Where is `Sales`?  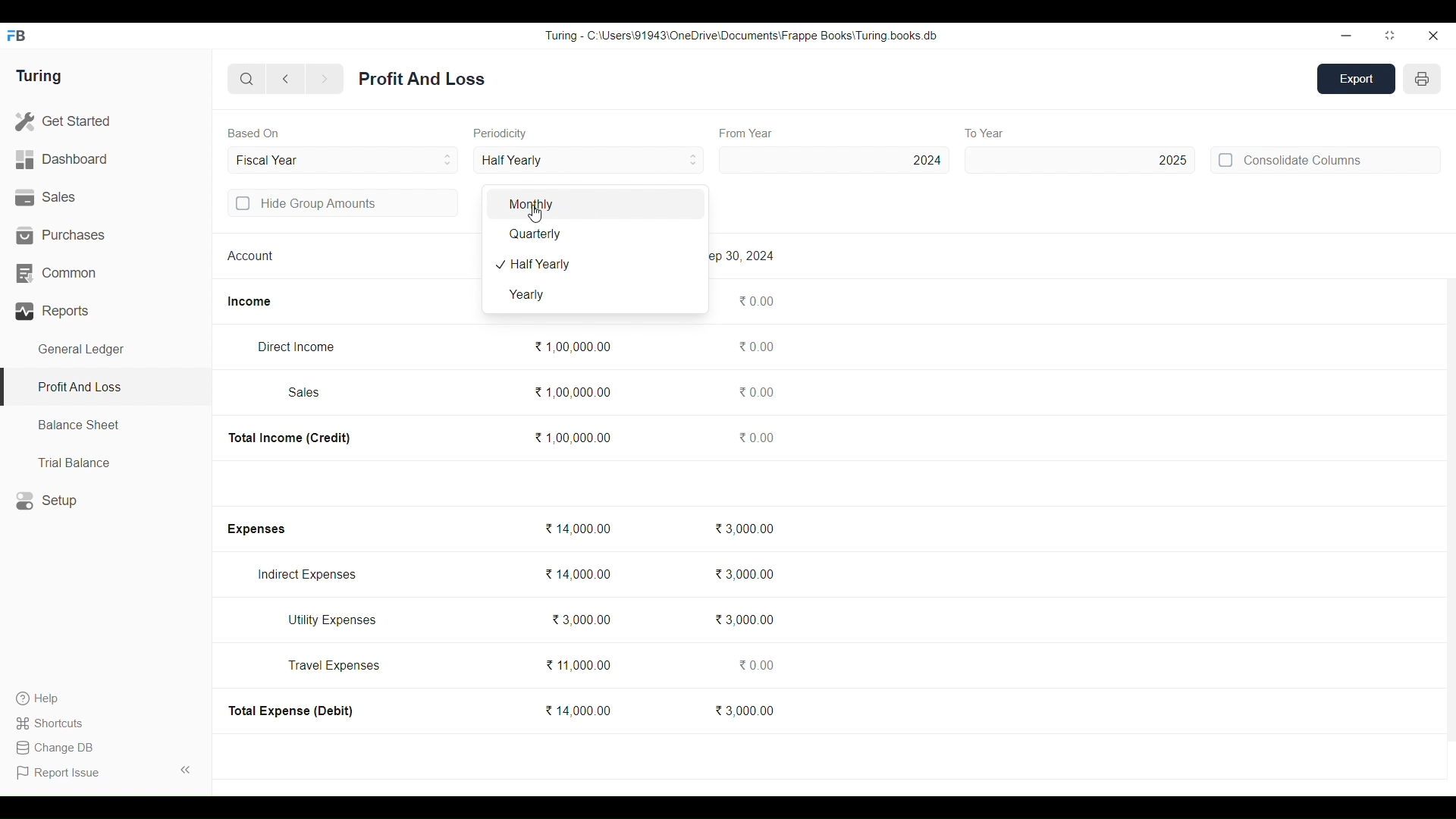
Sales is located at coordinates (305, 392).